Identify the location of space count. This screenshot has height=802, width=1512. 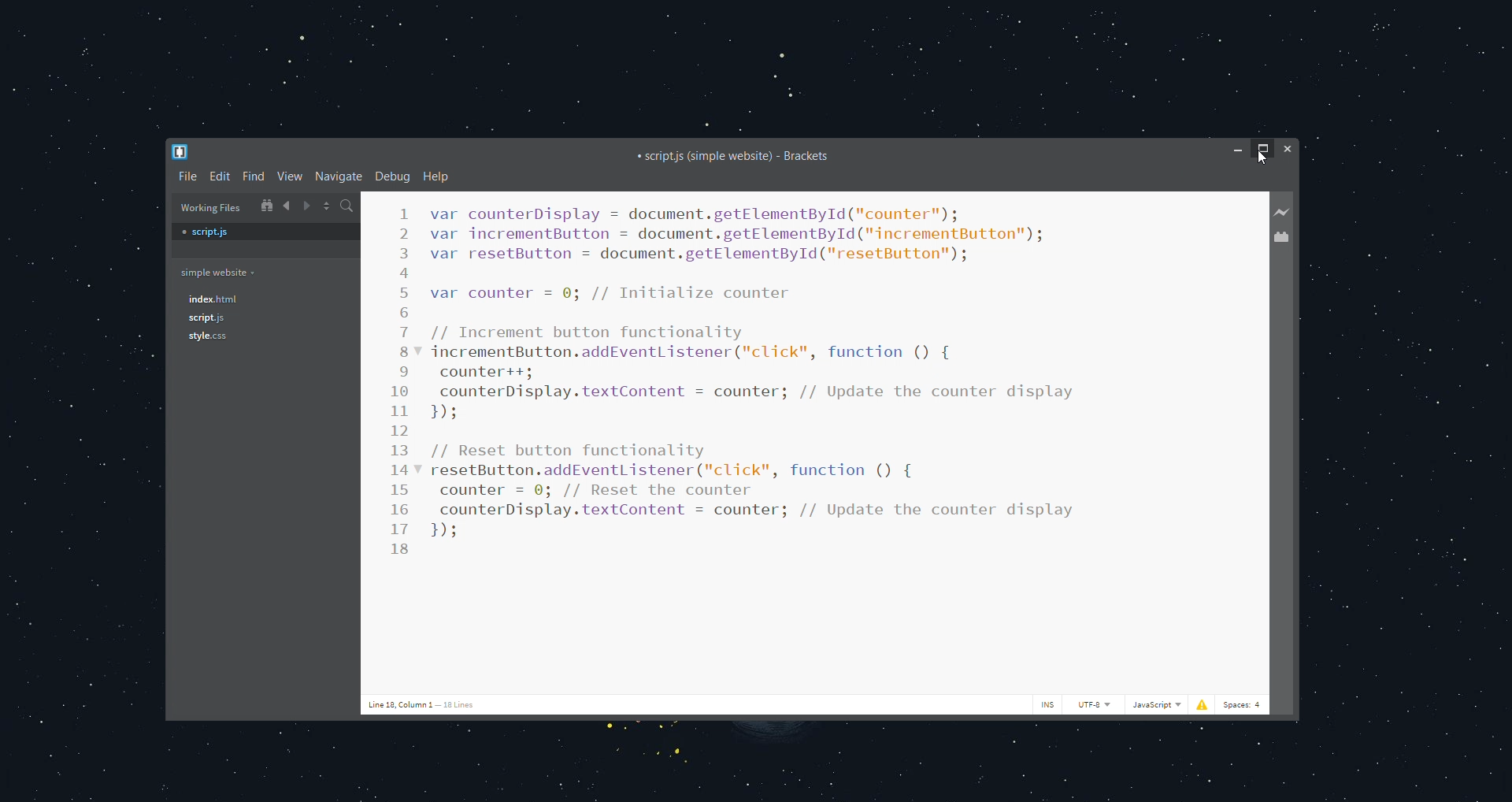
(1244, 704).